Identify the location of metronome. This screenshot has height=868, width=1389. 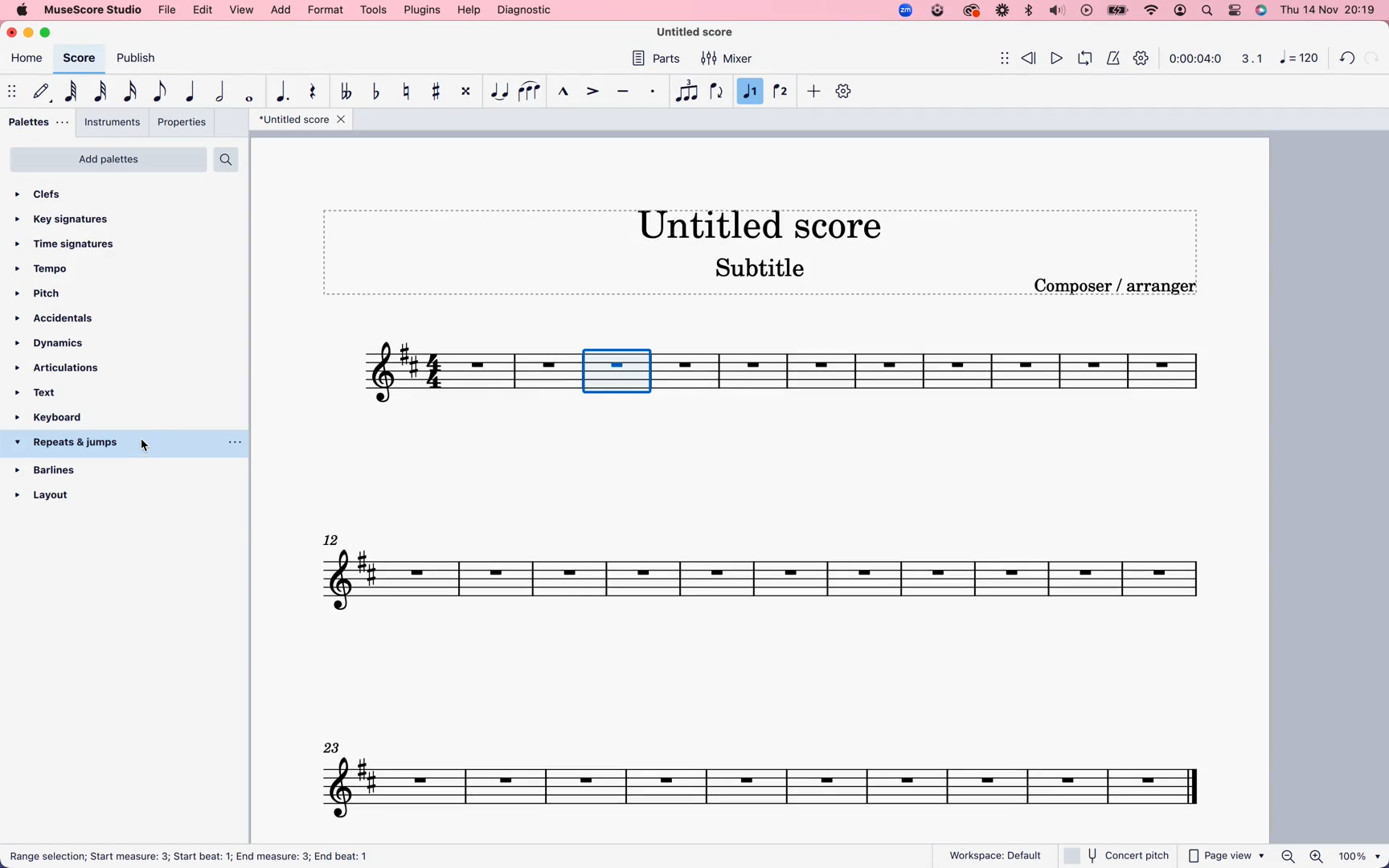
(1112, 57).